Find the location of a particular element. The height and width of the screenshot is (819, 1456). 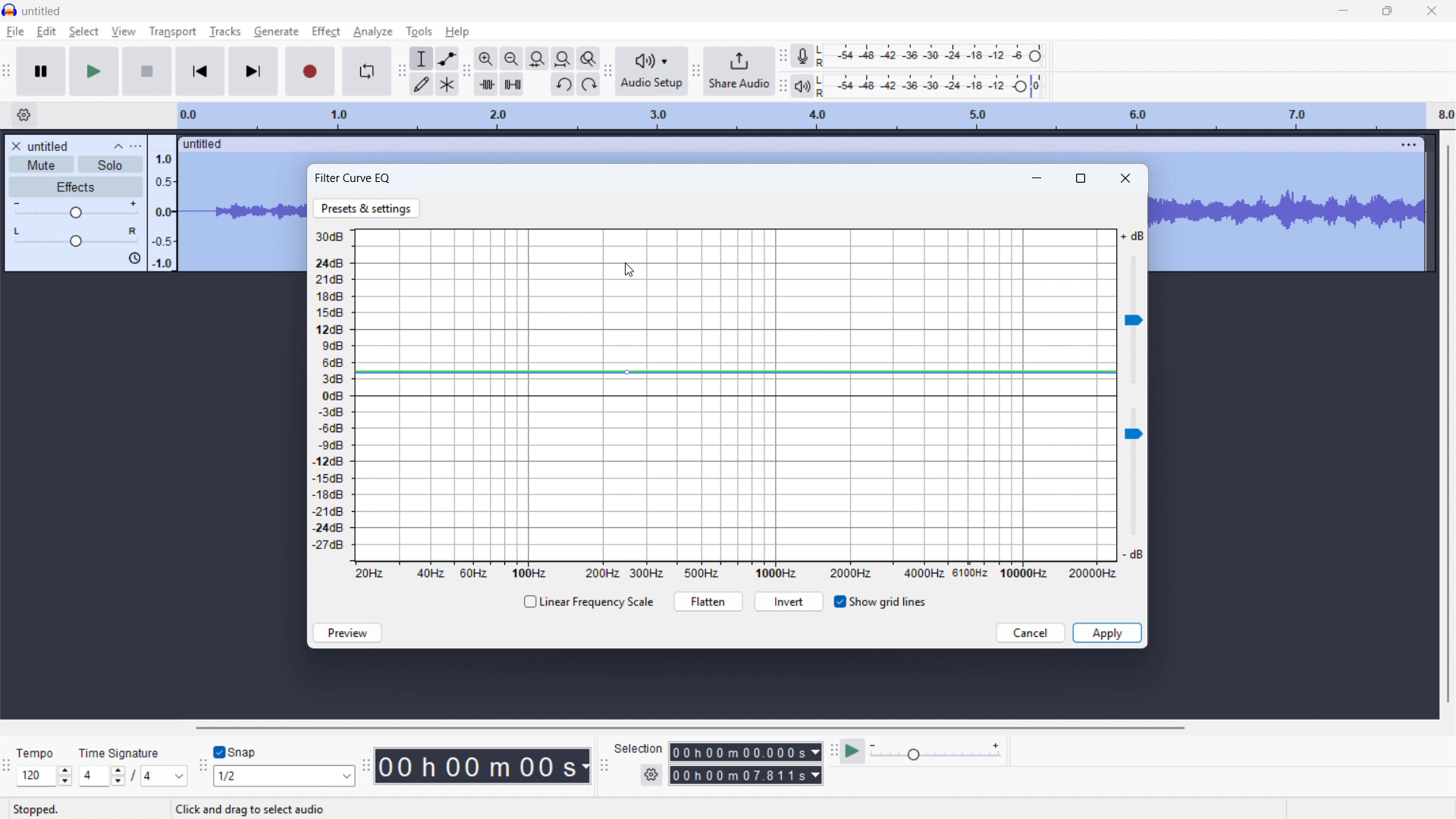

presets and settings is located at coordinates (366, 209).